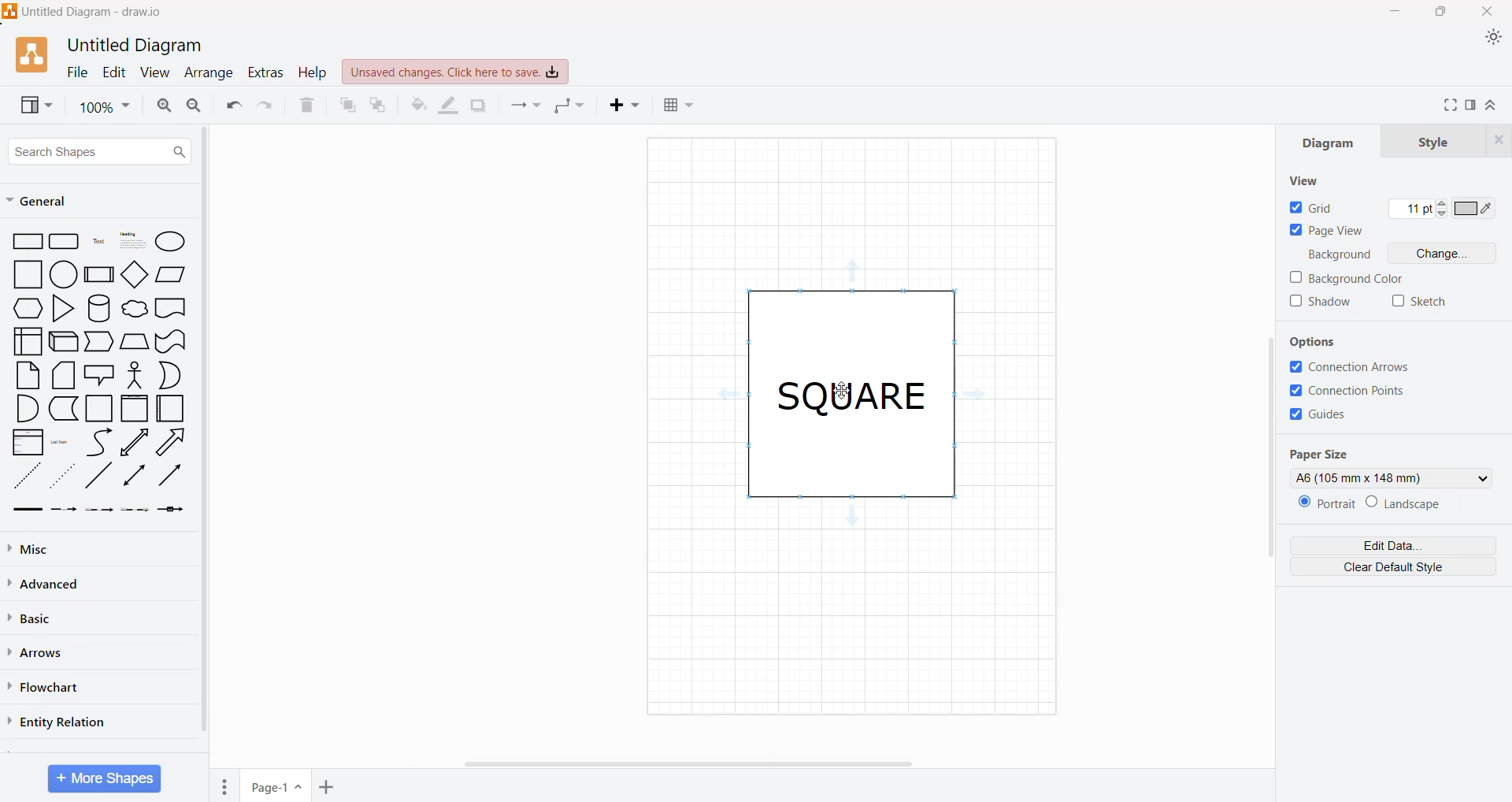 The height and width of the screenshot is (802, 1512). I want to click on circle, so click(64, 273).